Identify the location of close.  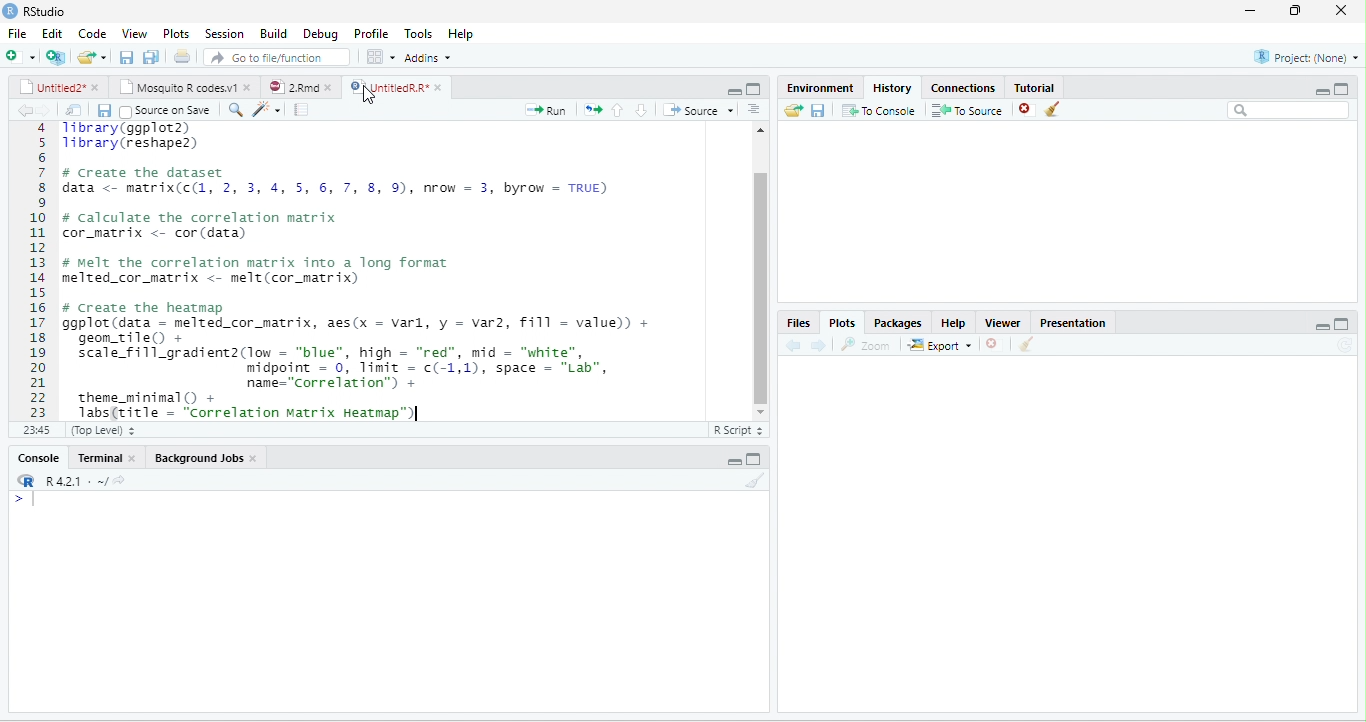
(1345, 11).